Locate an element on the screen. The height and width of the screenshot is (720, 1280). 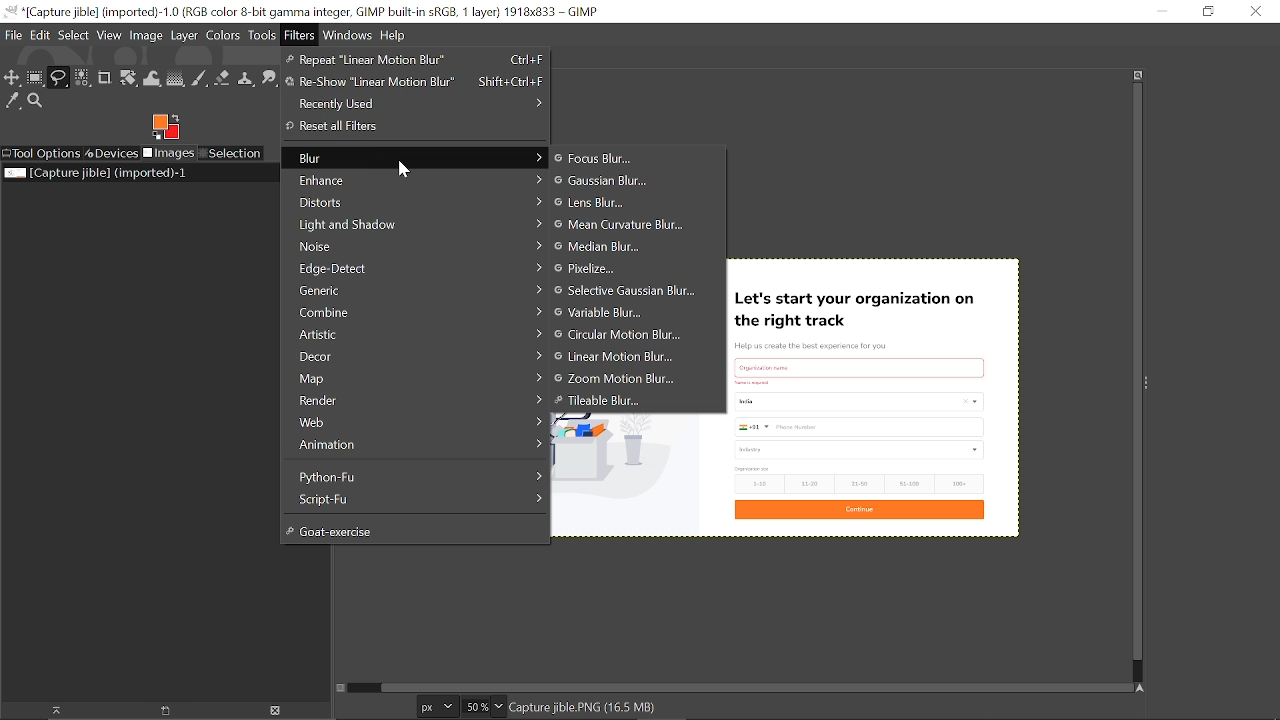
Mean curvature blur is located at coordinates (624, 226).